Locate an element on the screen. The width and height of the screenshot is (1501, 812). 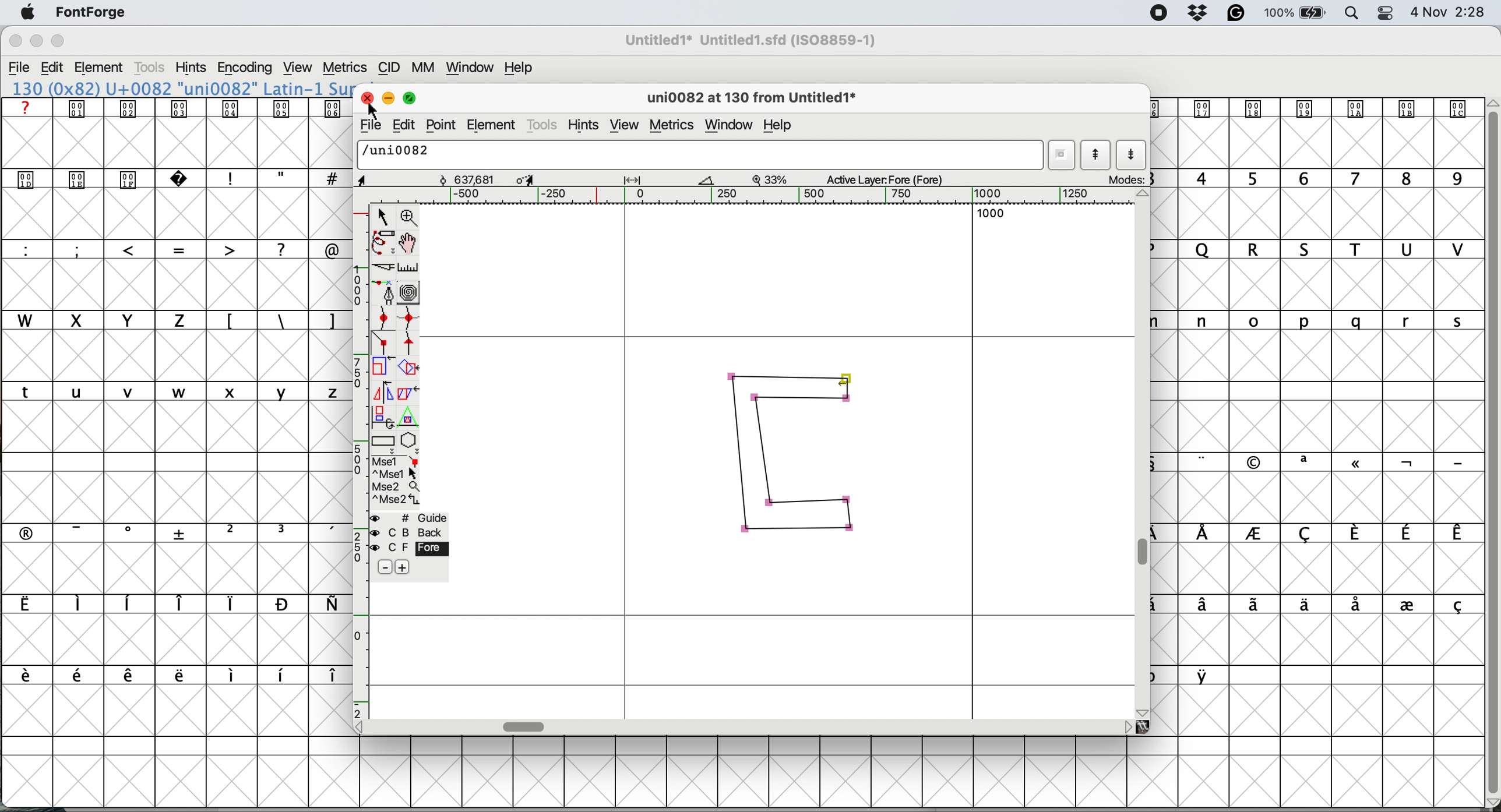
Date and Time is located at coordinates (1453, 12).